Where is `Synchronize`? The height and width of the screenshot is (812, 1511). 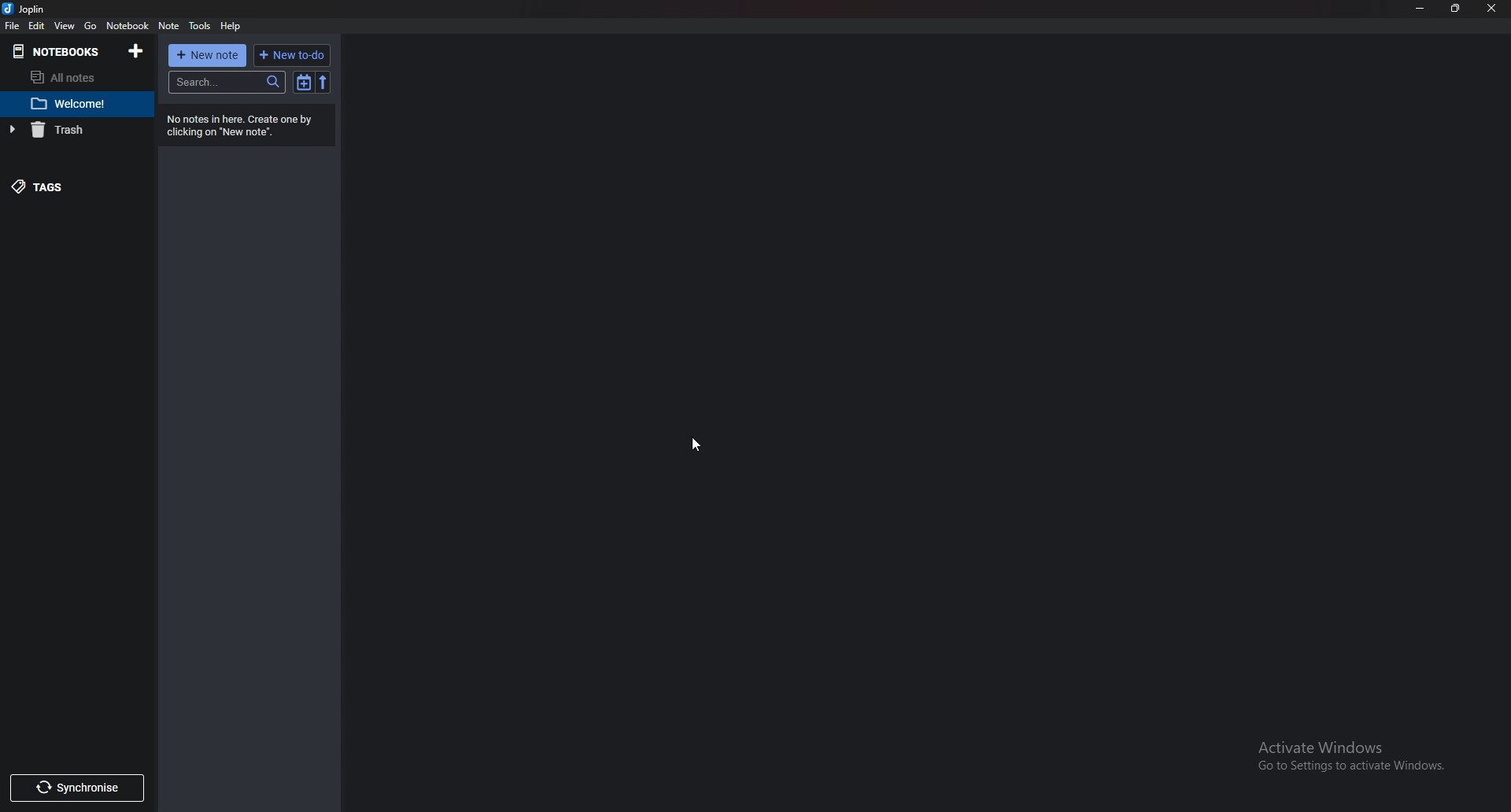
Synchronize is located at coordinates (77, 789).